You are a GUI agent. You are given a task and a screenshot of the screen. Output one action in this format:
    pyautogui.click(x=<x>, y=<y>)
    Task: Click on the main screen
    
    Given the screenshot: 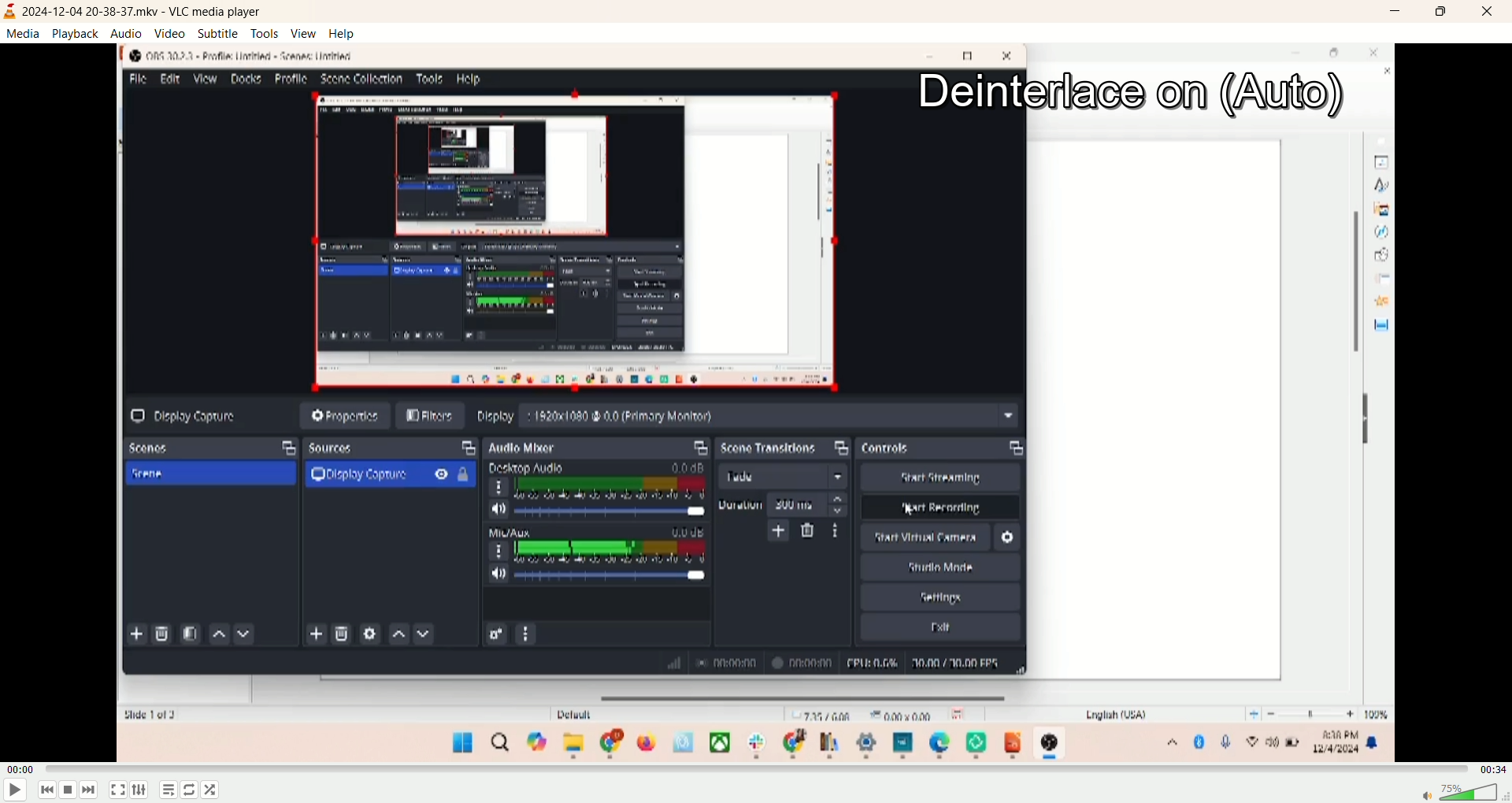 What is the action you would take?
    pyautogui.click(x=755, y=450)
    